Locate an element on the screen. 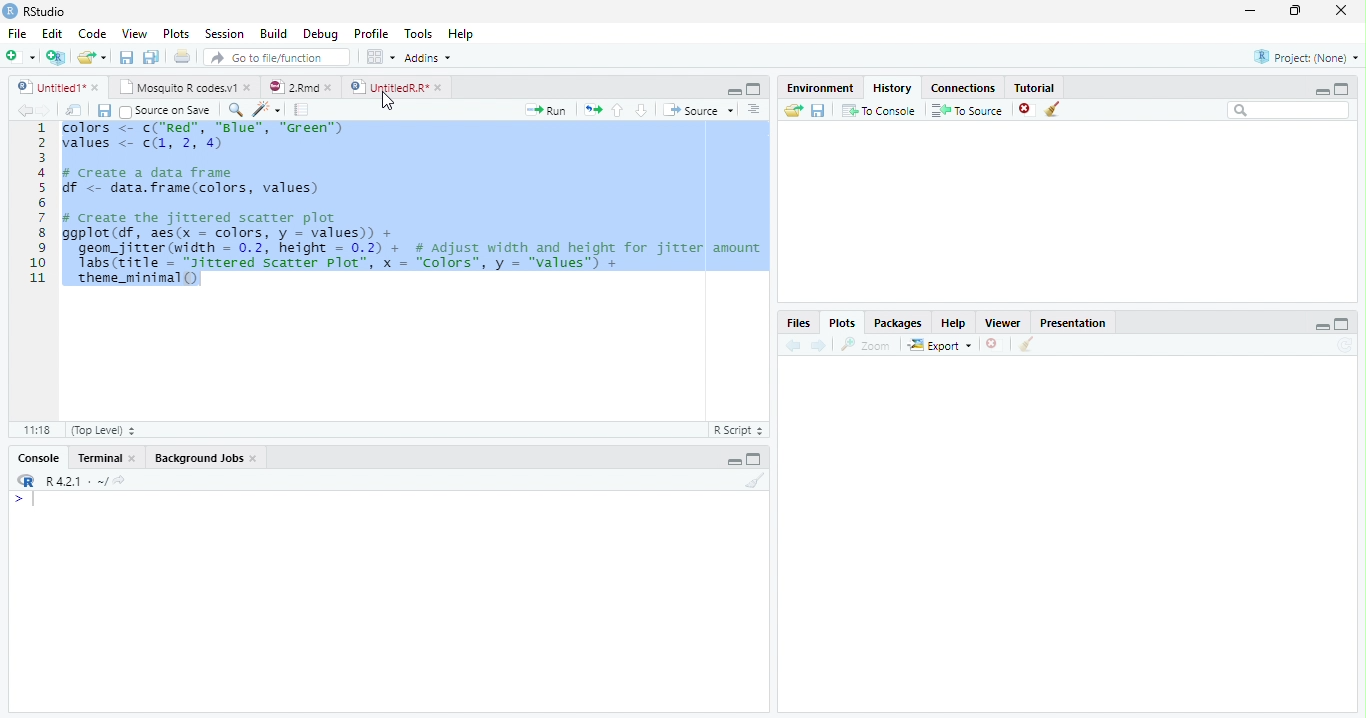 This screenshot has height=718, width=1366. Mosquito R codes.v1 is located at coordinates (175, 87).